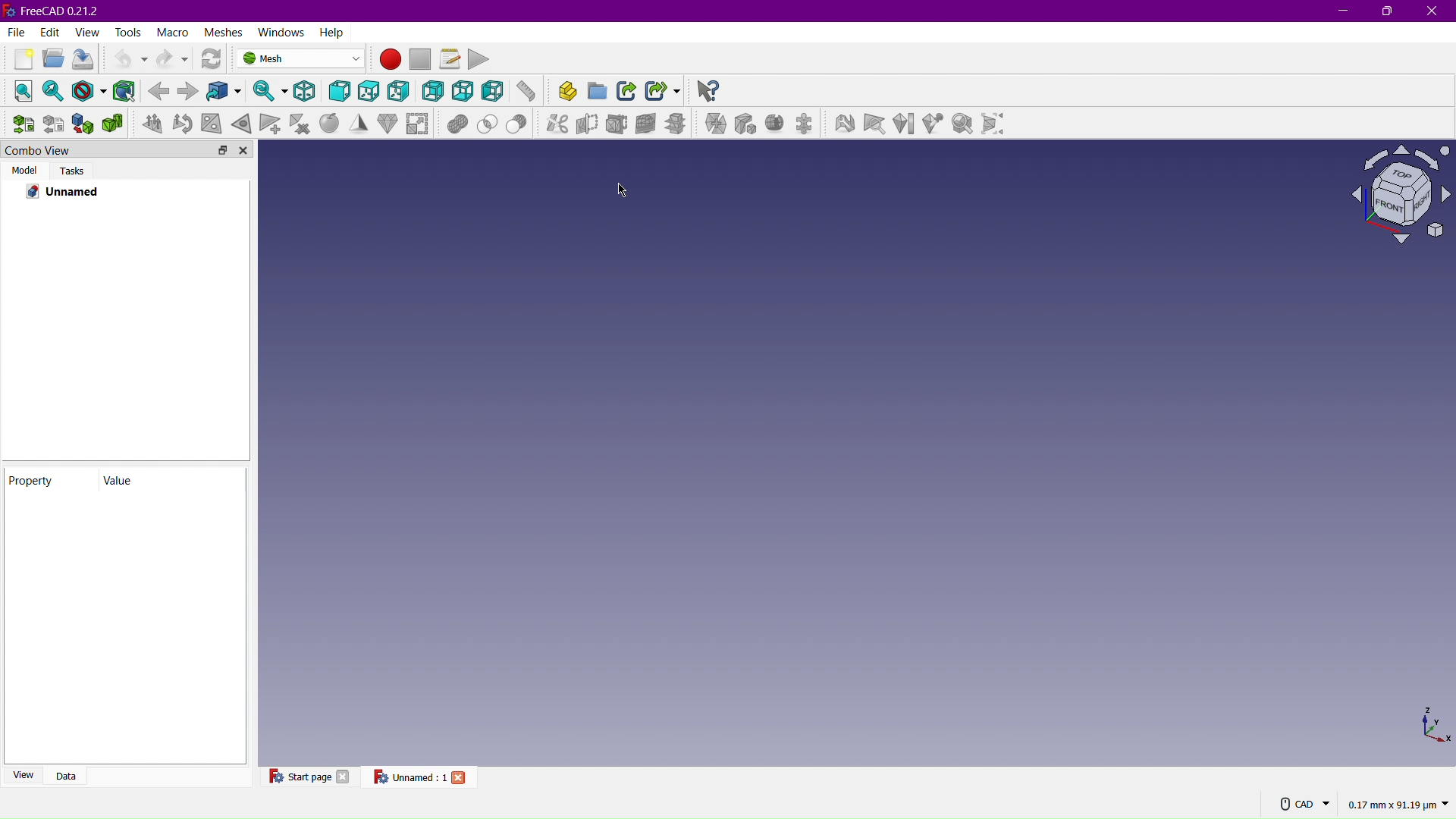  What do you see at coordinates (223, 149) in the screenshot?
I see `floating tab` at bounding box center [223, 149].